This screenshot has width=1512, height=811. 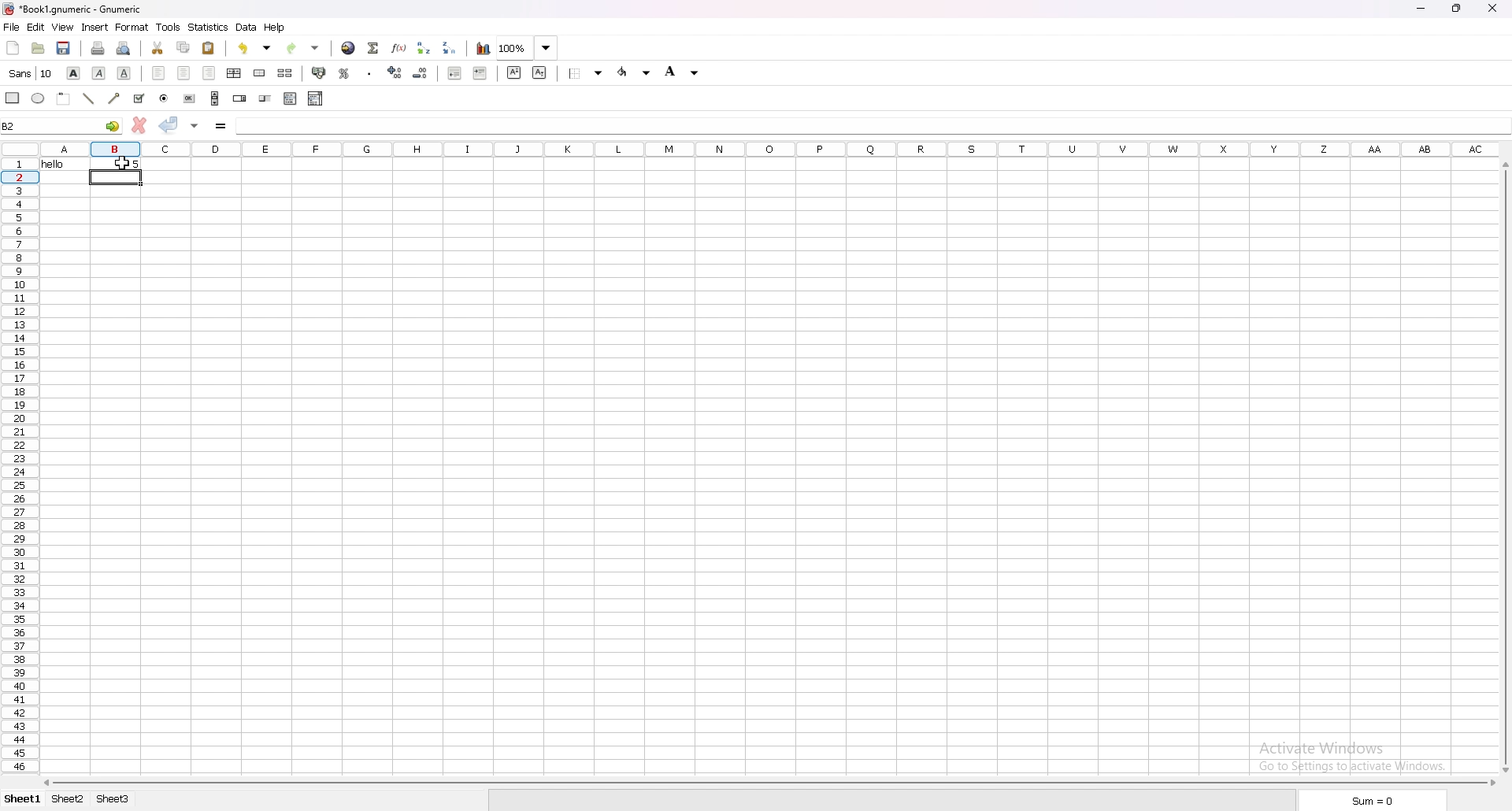 What do you see at coordinates (455, 72) in the screenshot?
I see `decrease indent` at bounding box center [455, 72].